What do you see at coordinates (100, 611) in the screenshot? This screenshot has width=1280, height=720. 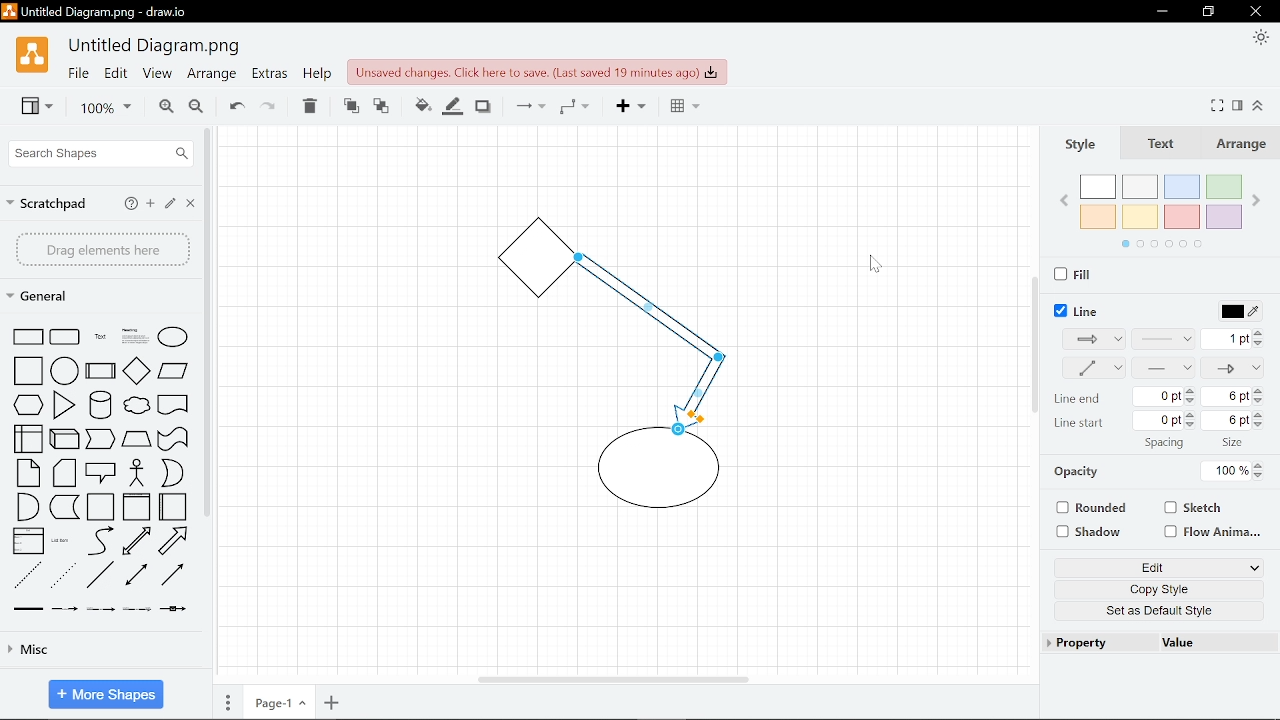 I see `shape` at bounding box center [100, 611].